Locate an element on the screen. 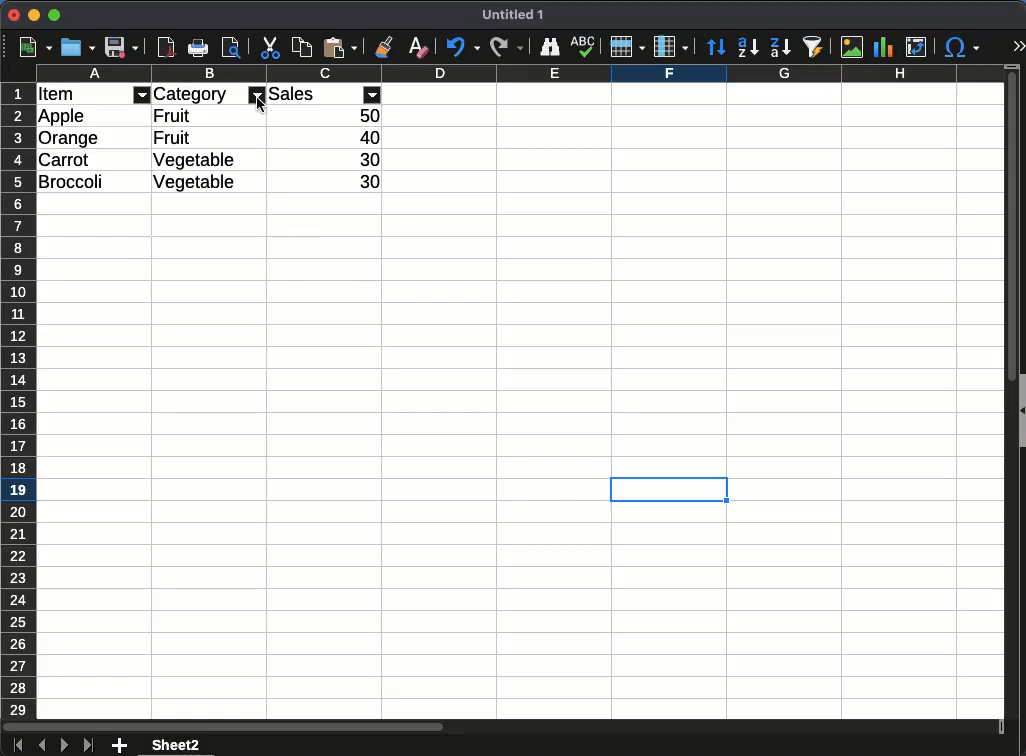  carrot is located at coordinates (64, 158).